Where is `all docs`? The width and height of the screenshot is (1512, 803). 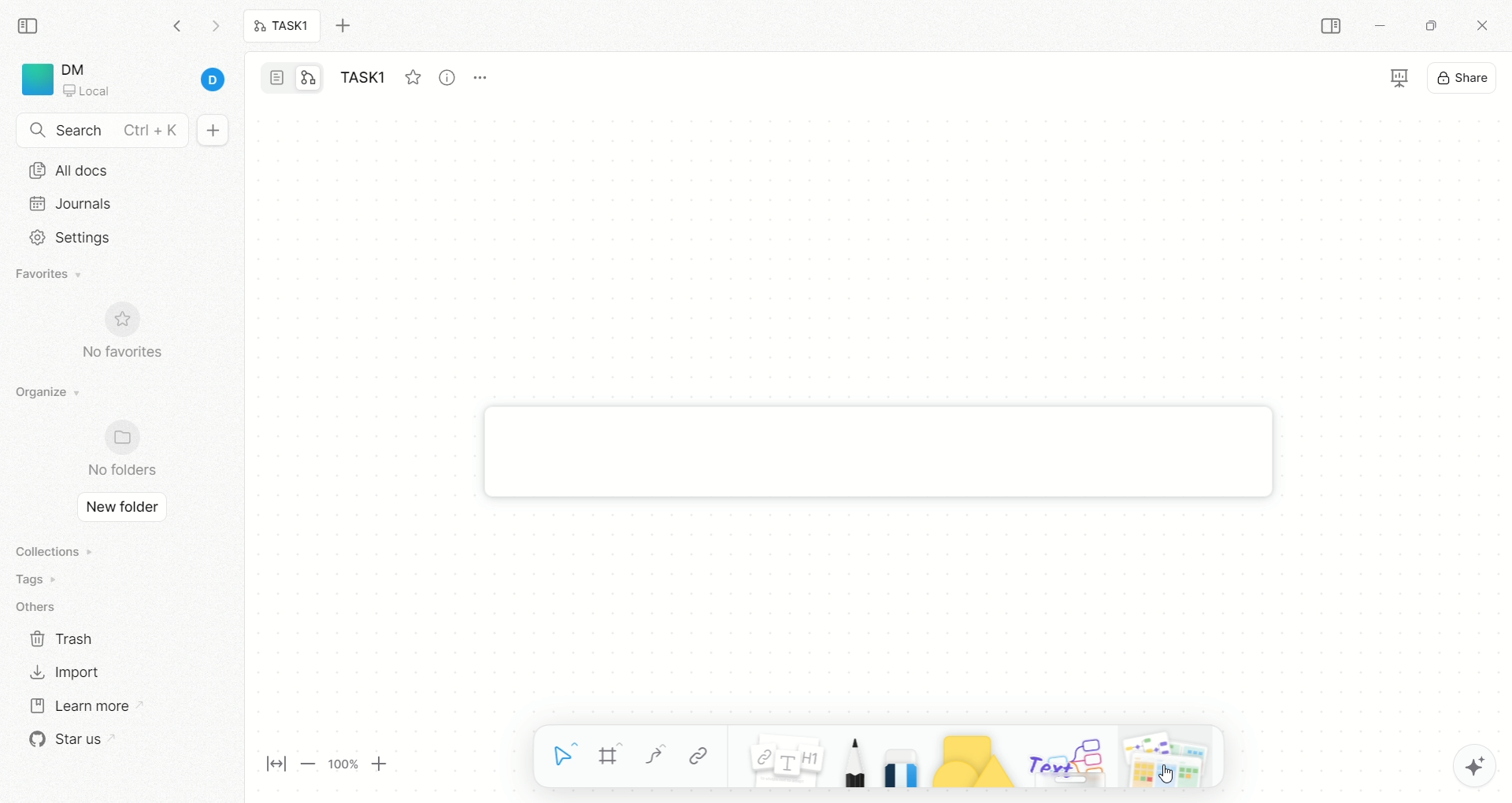 all docs is located at coordinates (69, 170).